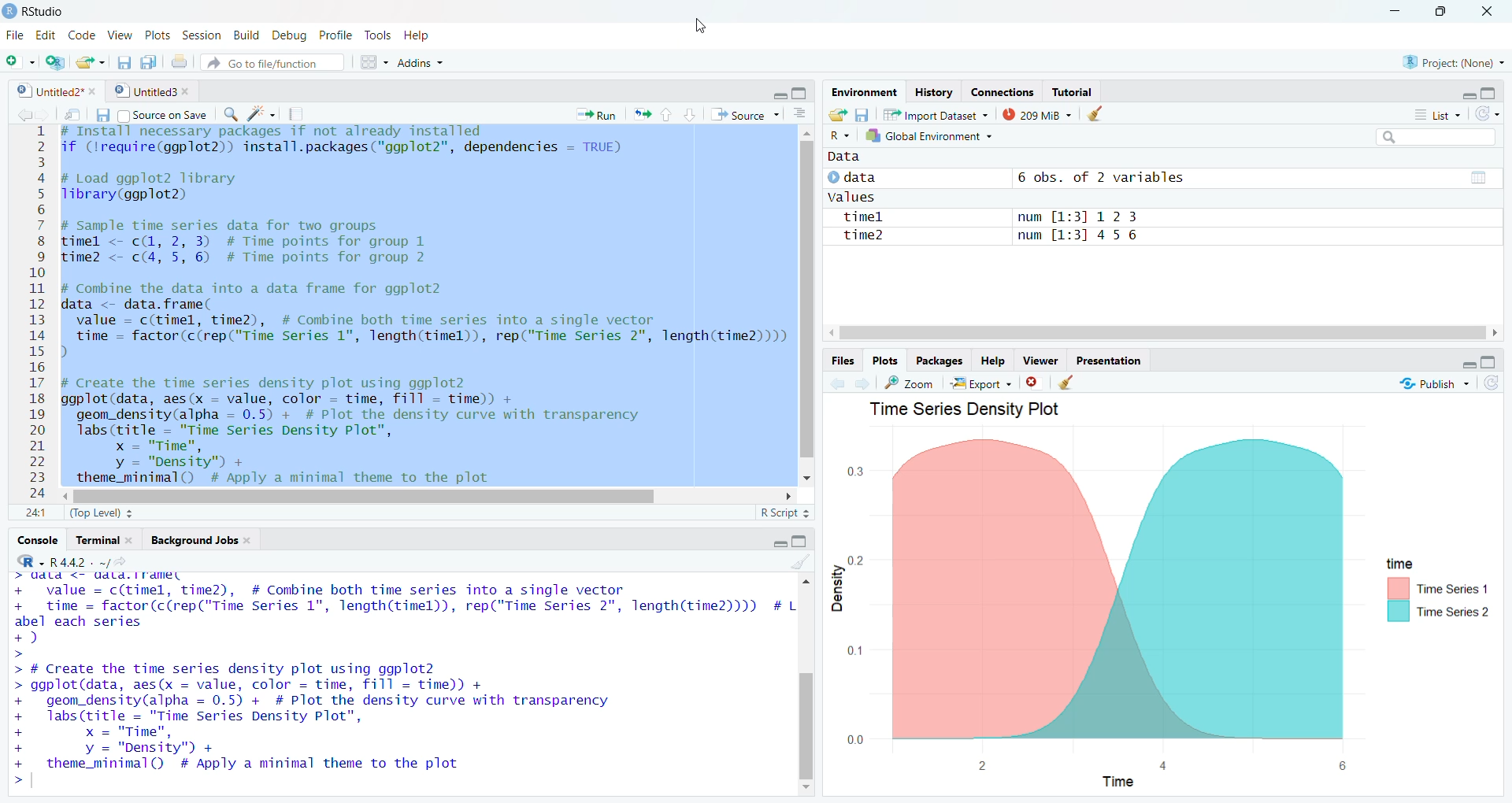 Image resolution: width=1512 pixels, height=803 pixels. Describe the element at coordinates (247, 242) in the screenshot. I see `# Sample time series data for two groups
timel <- c(1, 2, 3) # Time points for group 1
time2 <- c(4, 5, 6) # Time points for group 2` at that location.